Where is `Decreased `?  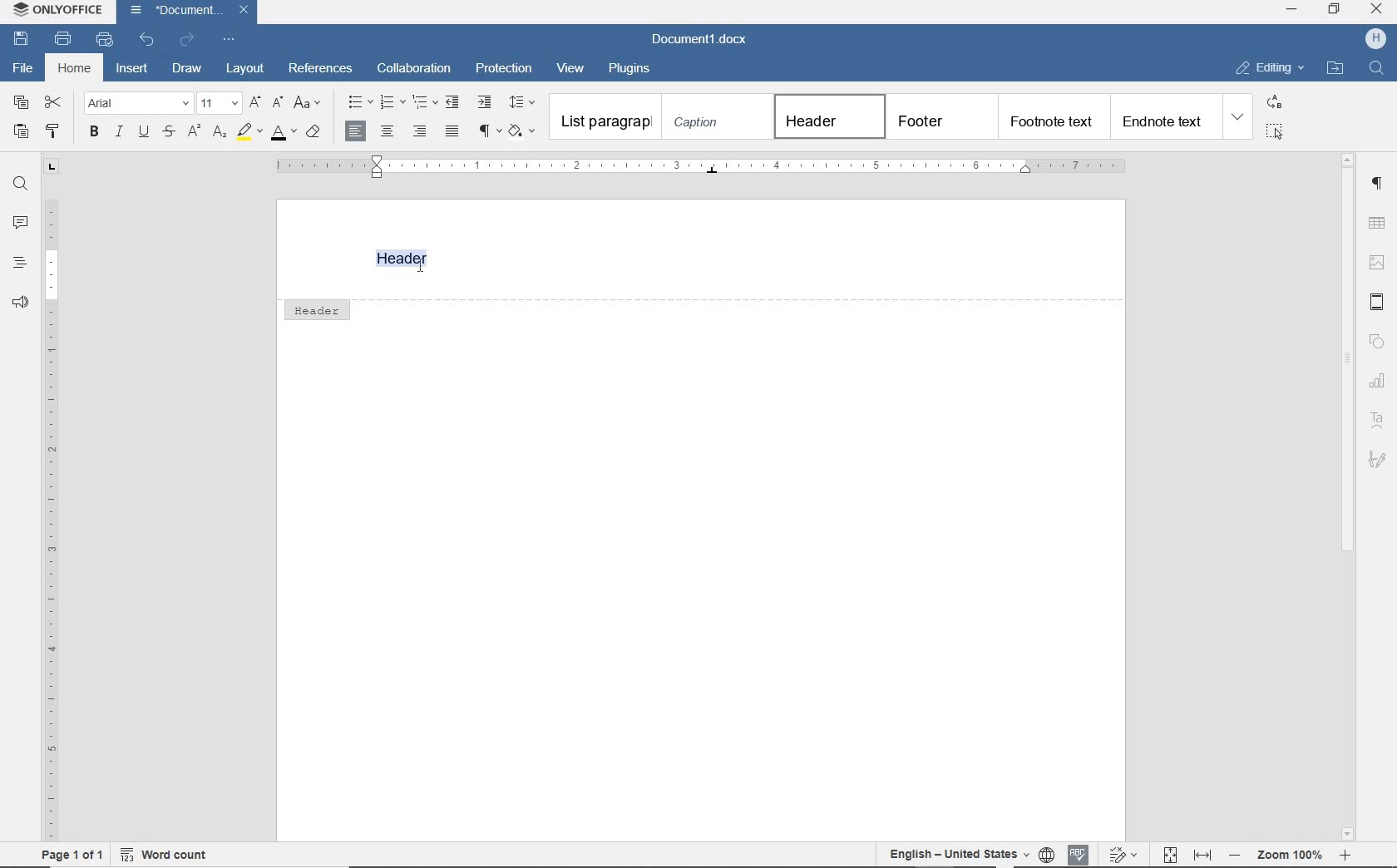
Decreased  is located at coordinates (1234, 854).